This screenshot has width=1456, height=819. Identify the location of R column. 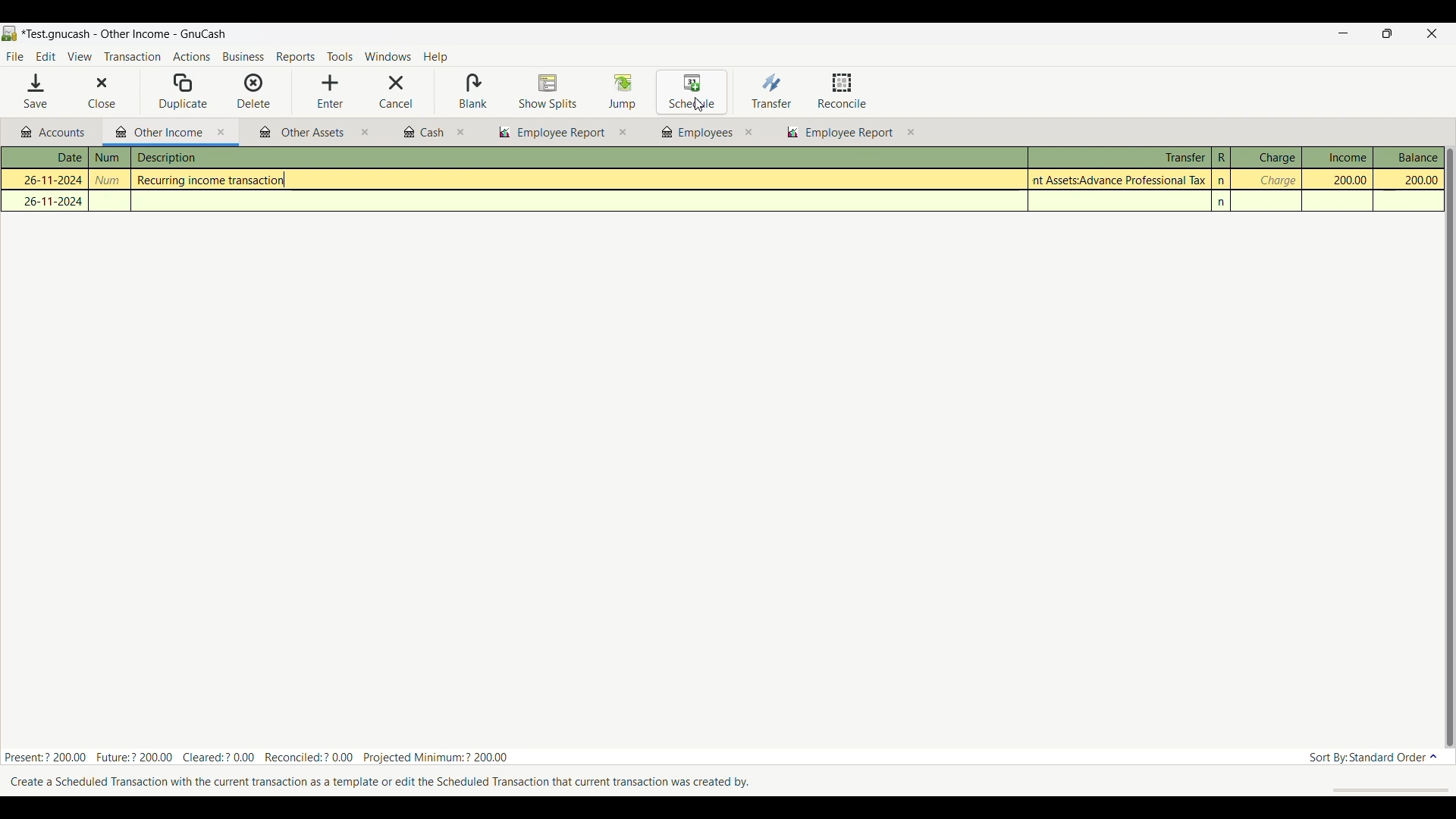
(1220, 158).